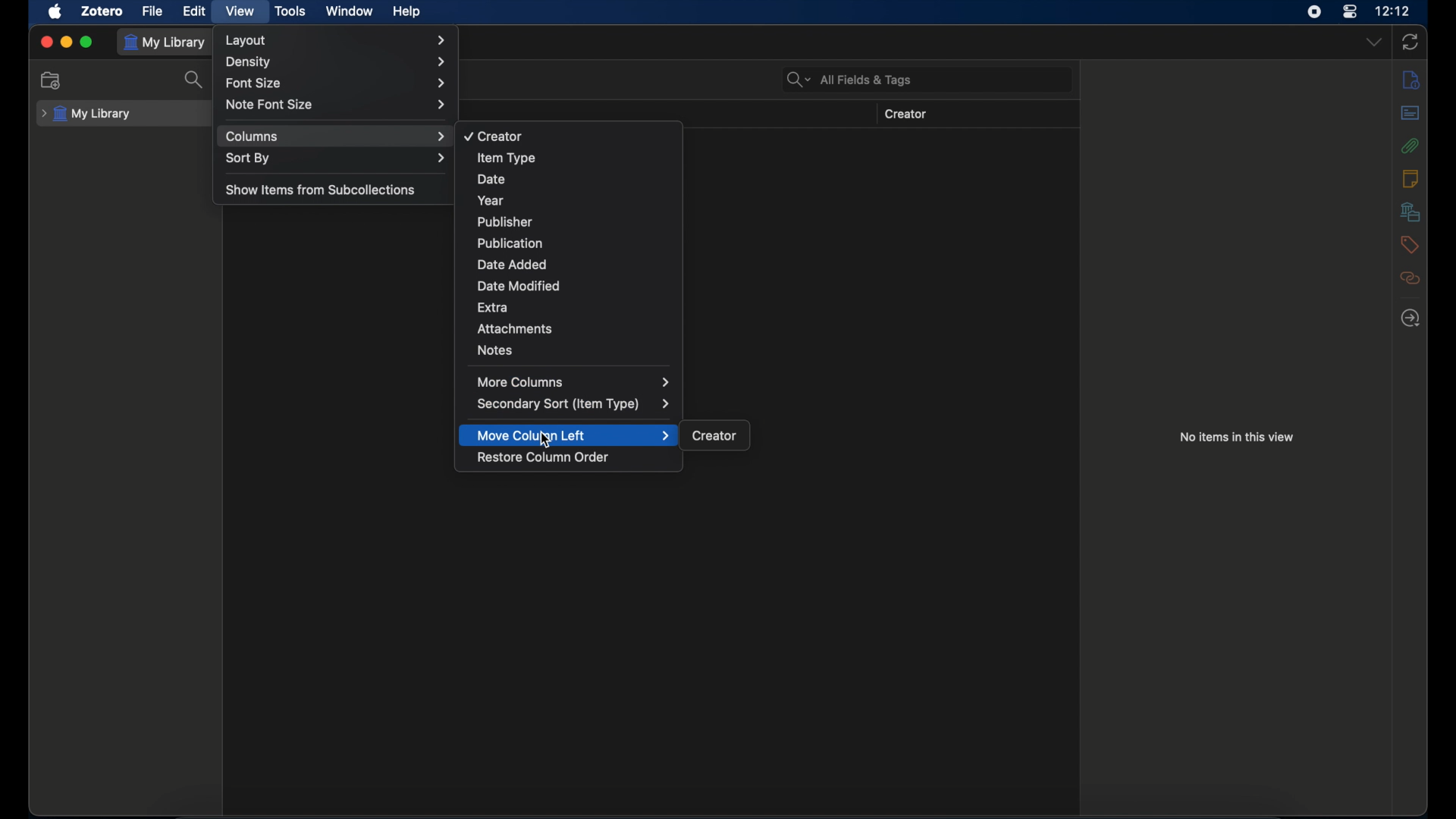 This screenshot has width=1456, height=819. Describe the element at coordinates (494, 350) in the screenshot. I see `notes` at that location.